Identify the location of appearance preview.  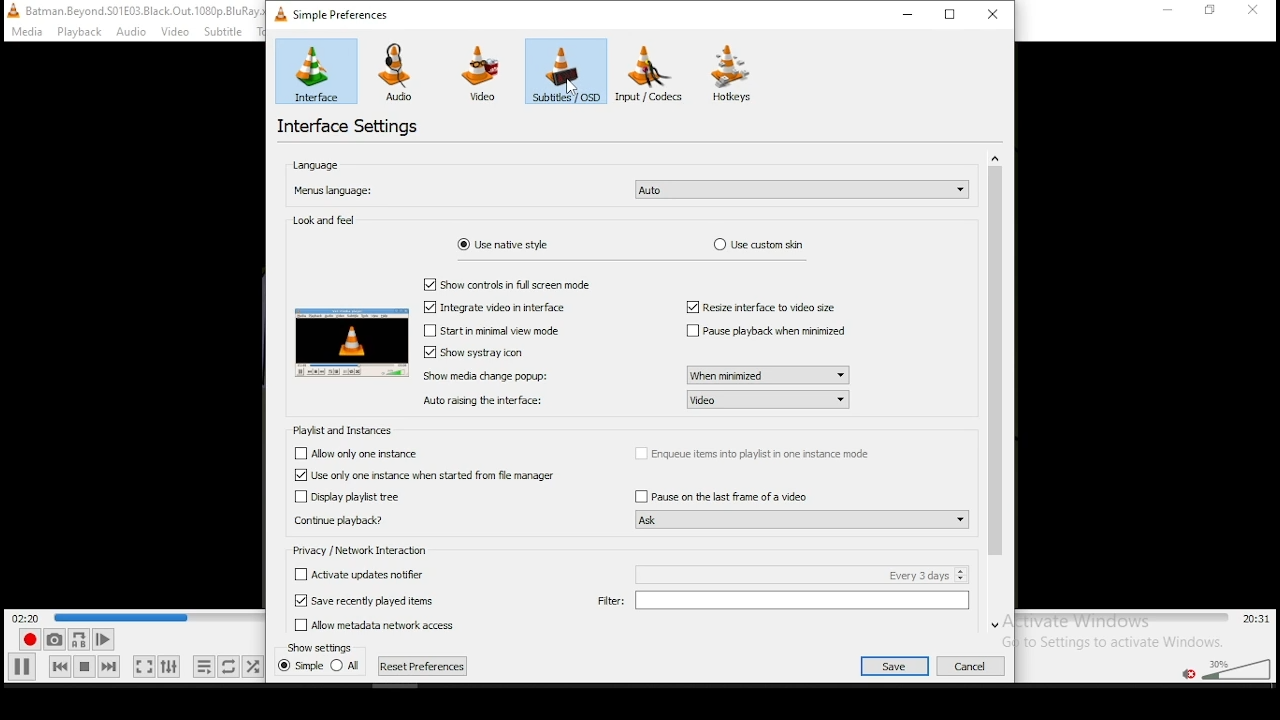
(352, 342).